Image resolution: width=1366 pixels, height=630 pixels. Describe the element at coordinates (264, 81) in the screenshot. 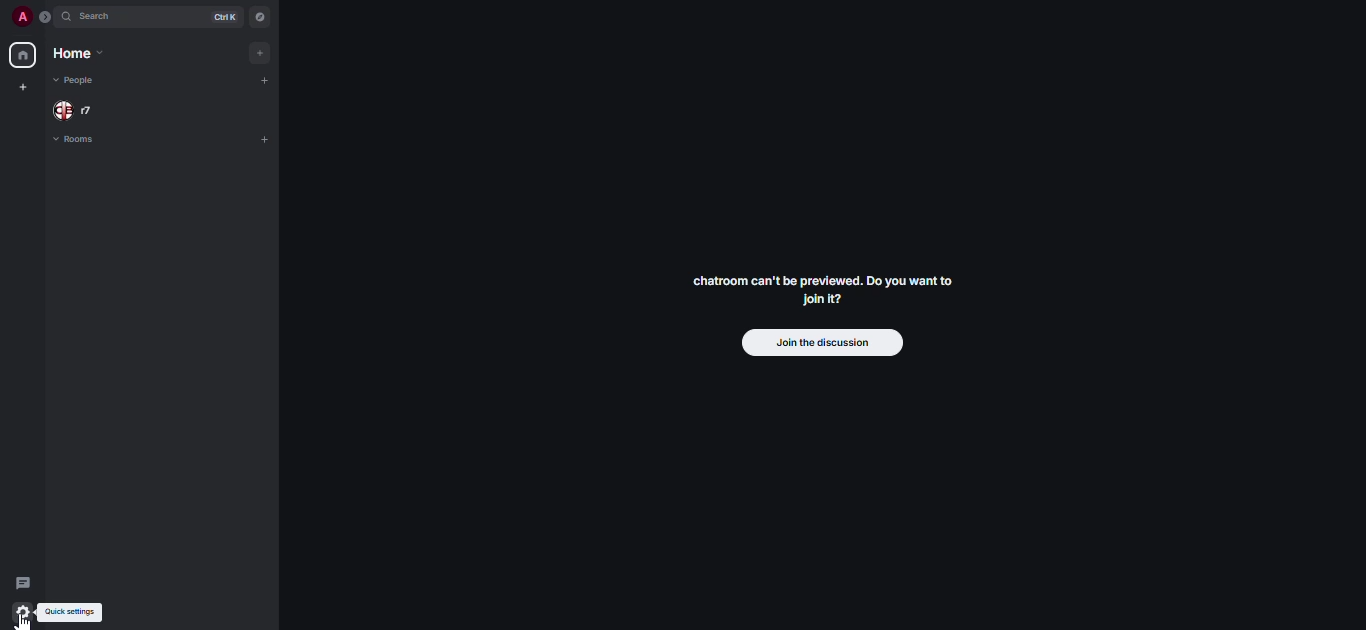

I see `add` at that location.